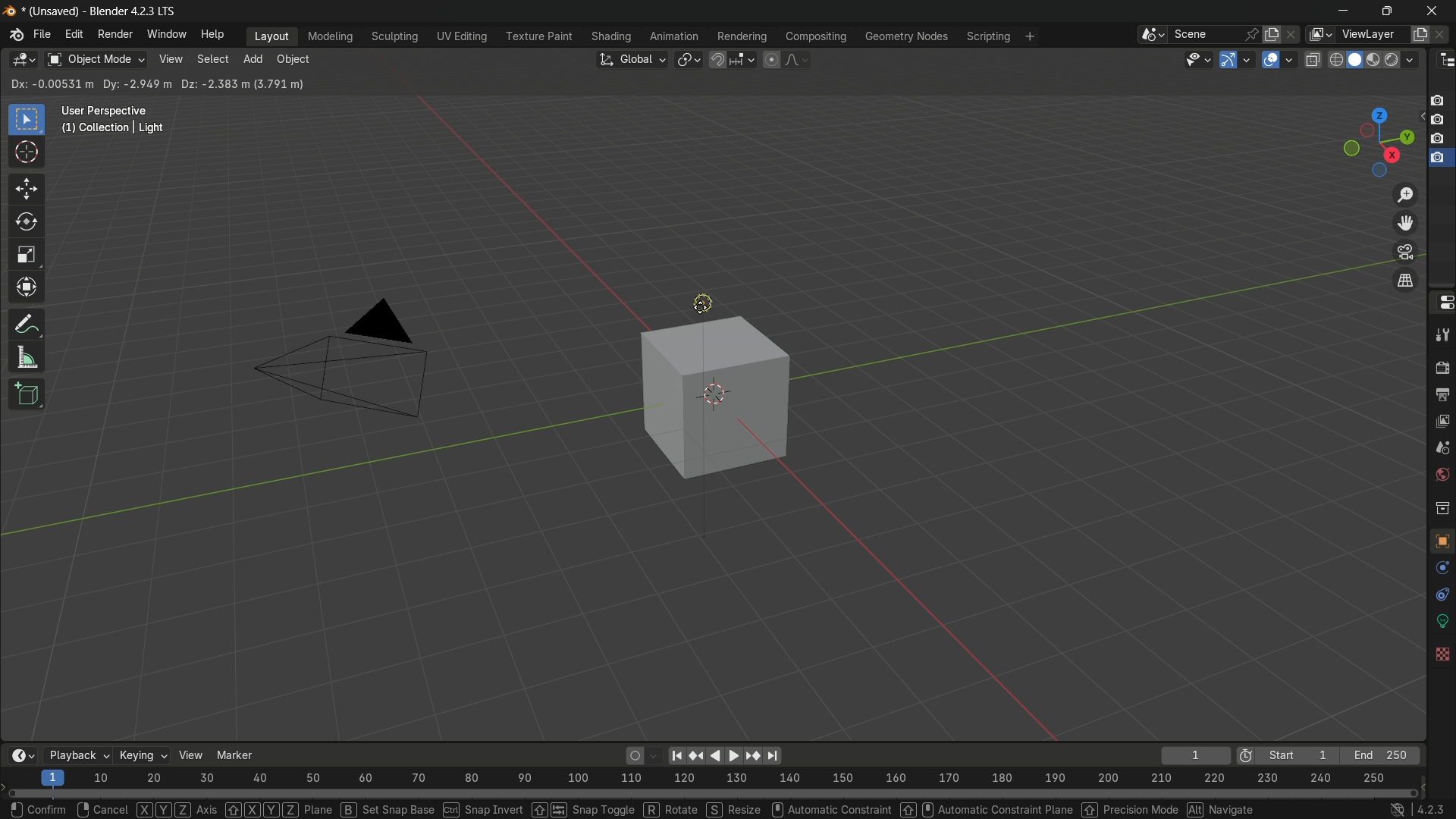  What do you see at coordinates (121, 120) in the screenshot?
I see `user perspective (1) collection | cube` at bounding box center [121, 120].